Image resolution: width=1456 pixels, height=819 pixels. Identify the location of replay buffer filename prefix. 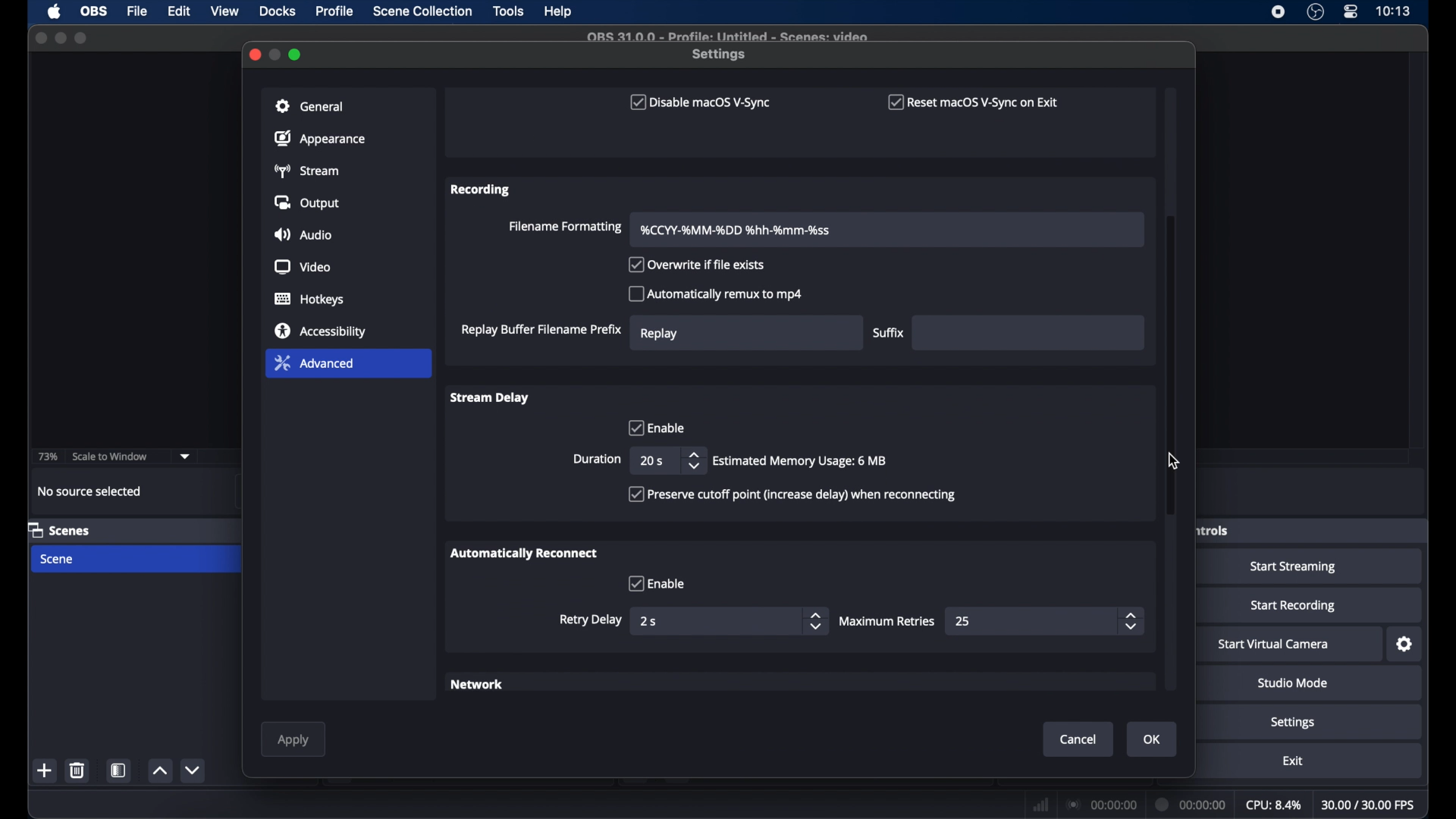
(541, 330).